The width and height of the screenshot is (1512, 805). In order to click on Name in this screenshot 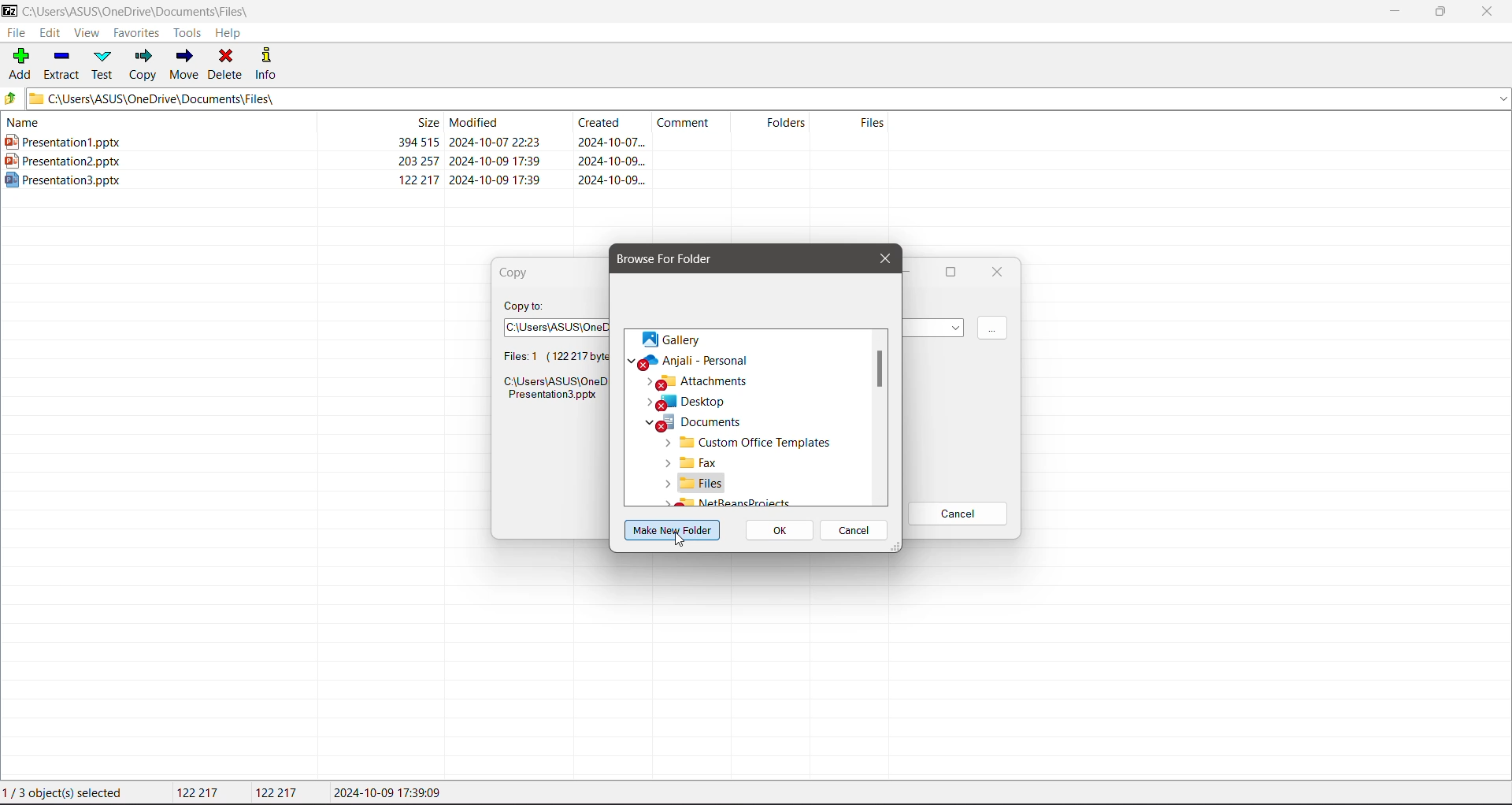, I will do `click(150, 122)`.